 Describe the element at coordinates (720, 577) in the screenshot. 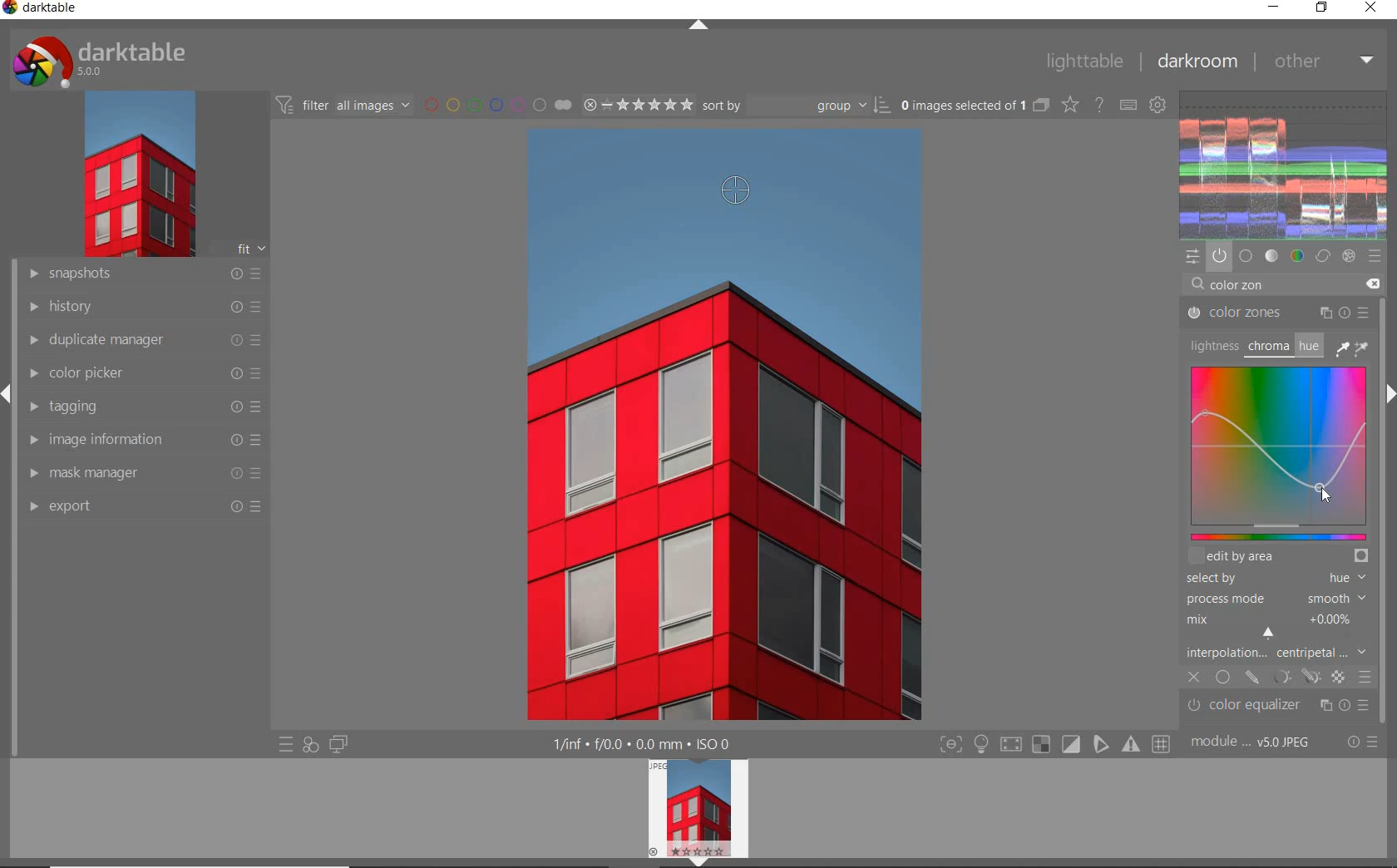

I see `selected image` at that location.